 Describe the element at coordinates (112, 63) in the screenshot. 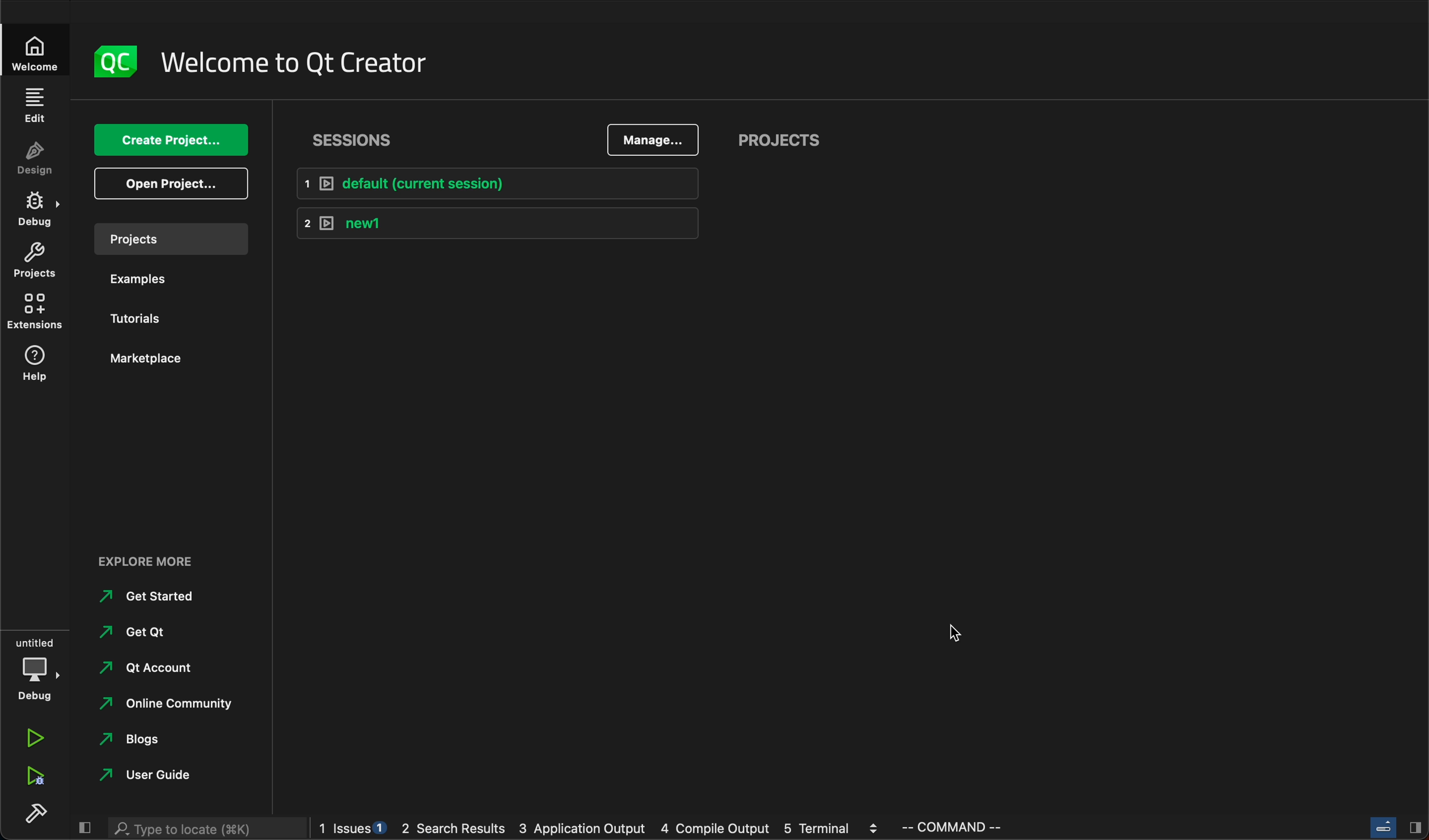

I see `logo` at that location.